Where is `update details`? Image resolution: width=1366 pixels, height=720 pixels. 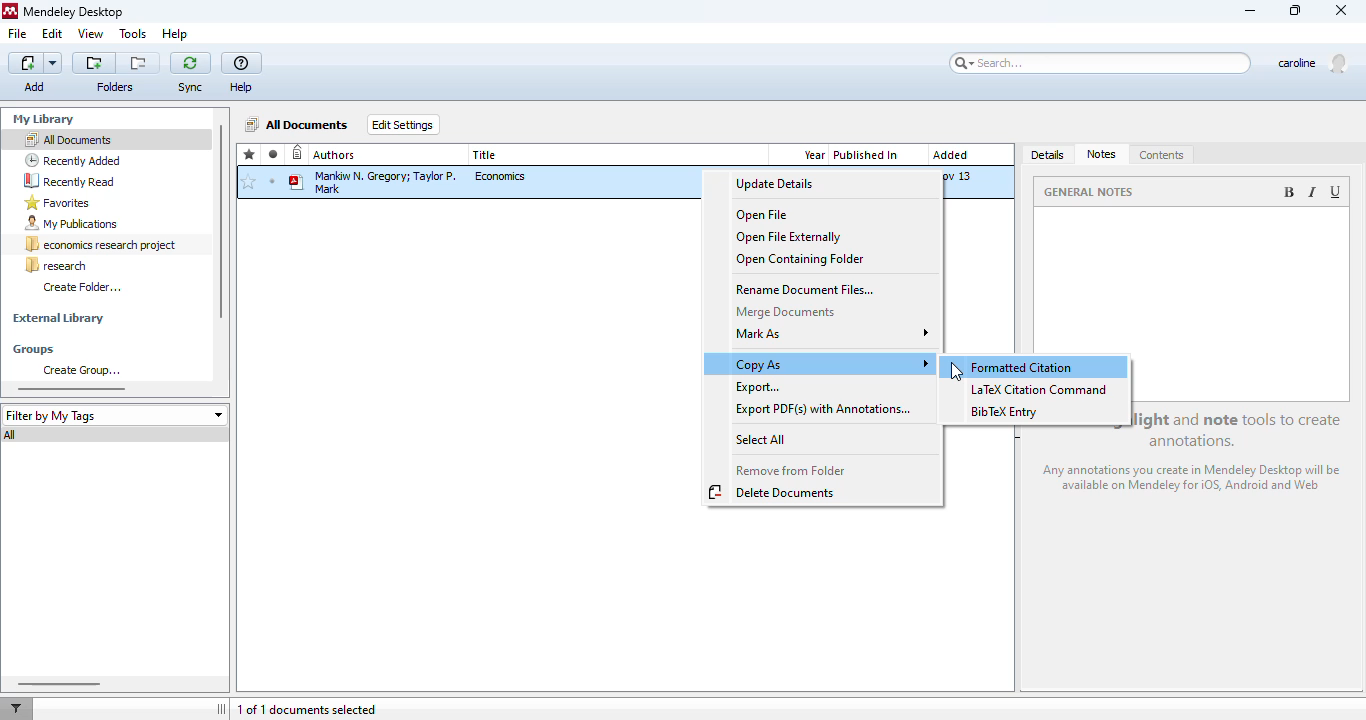 update details is located at coordinates (775, 184).